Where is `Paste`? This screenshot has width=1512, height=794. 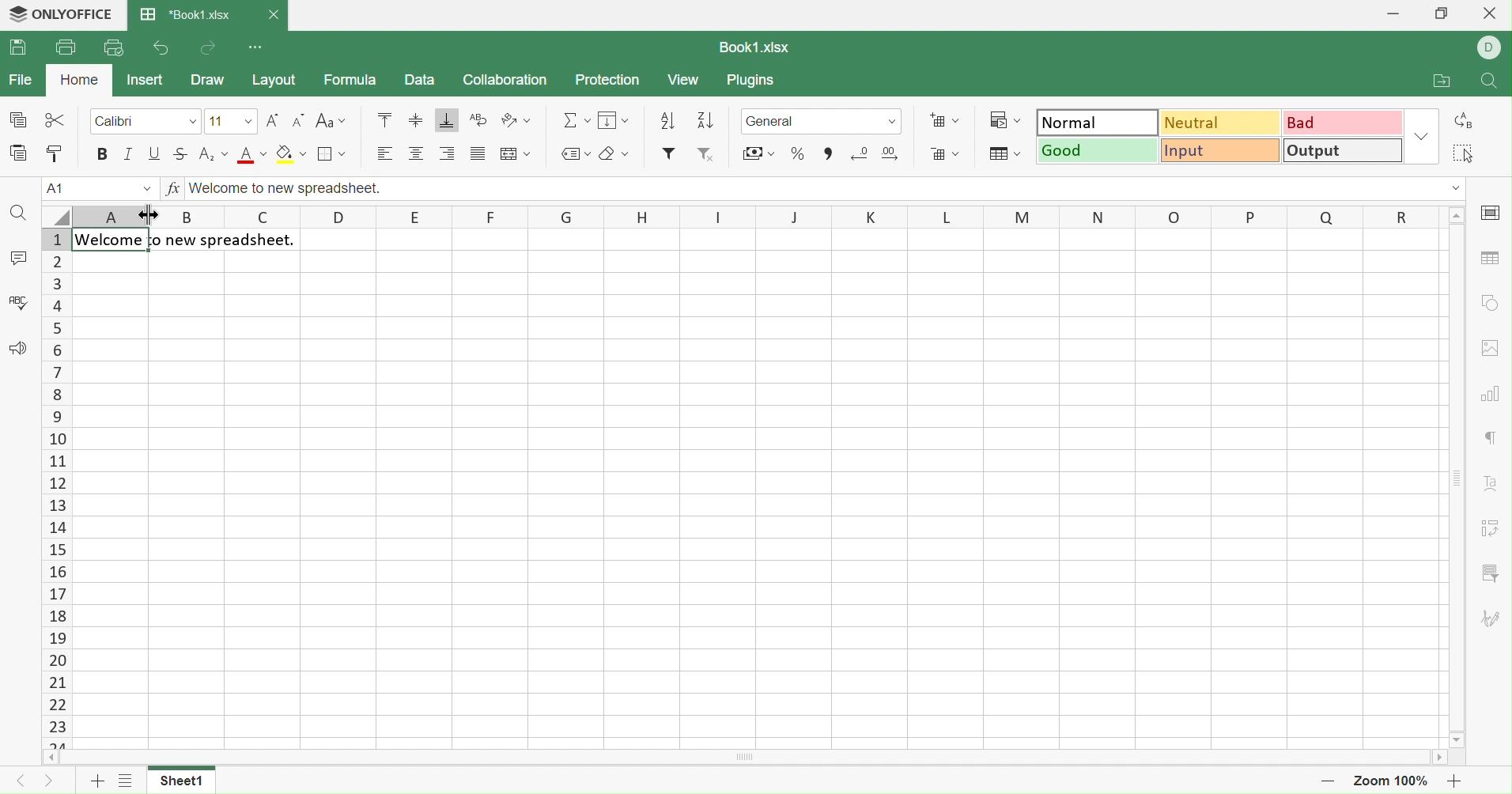 Paste is located at coordinates (16, 153).